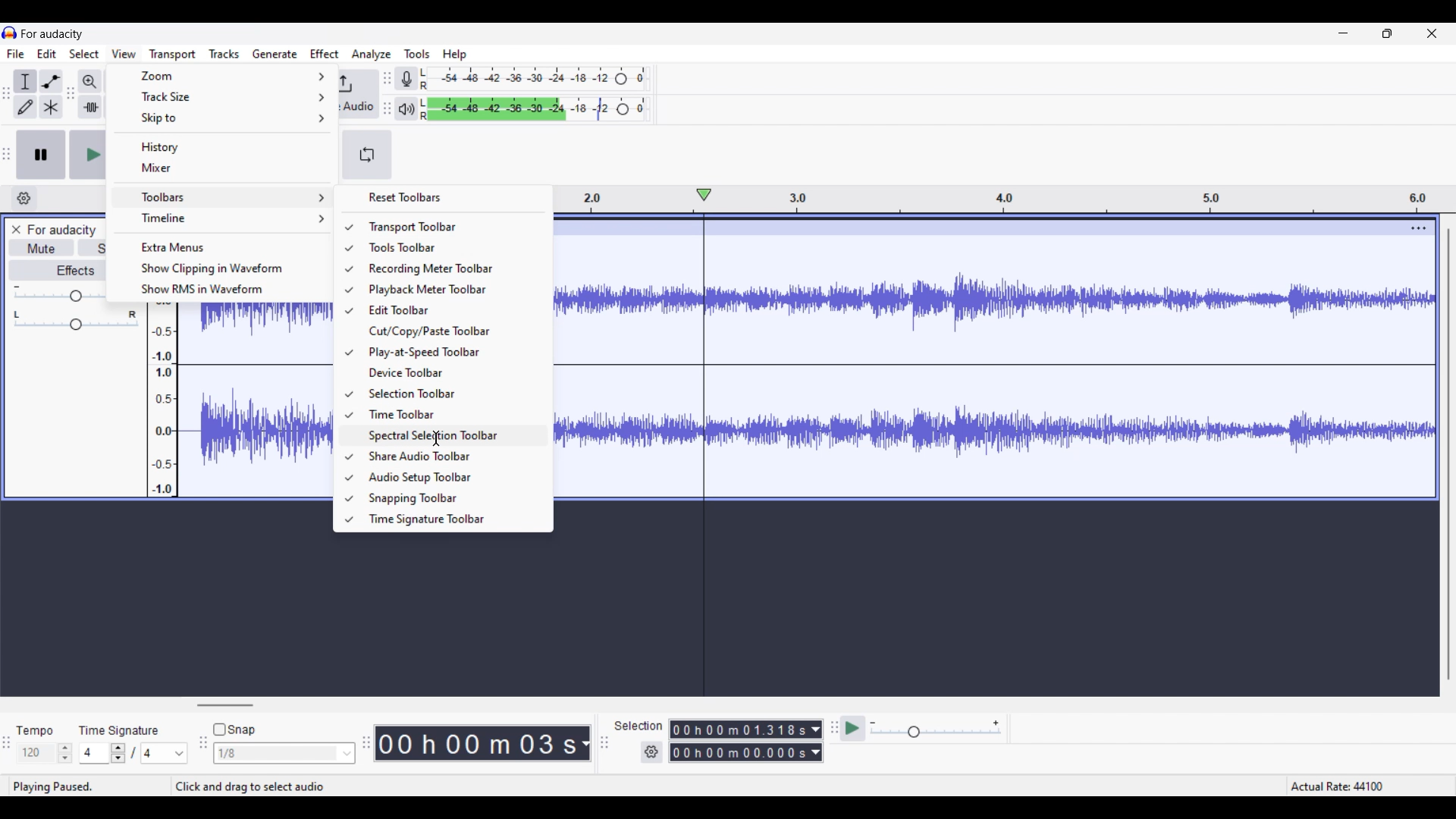 The width and height of the screenshot is (1456, 819). Describe the element at coordinates (224, 96) in the screenshot. I see `Track size options` at that location.